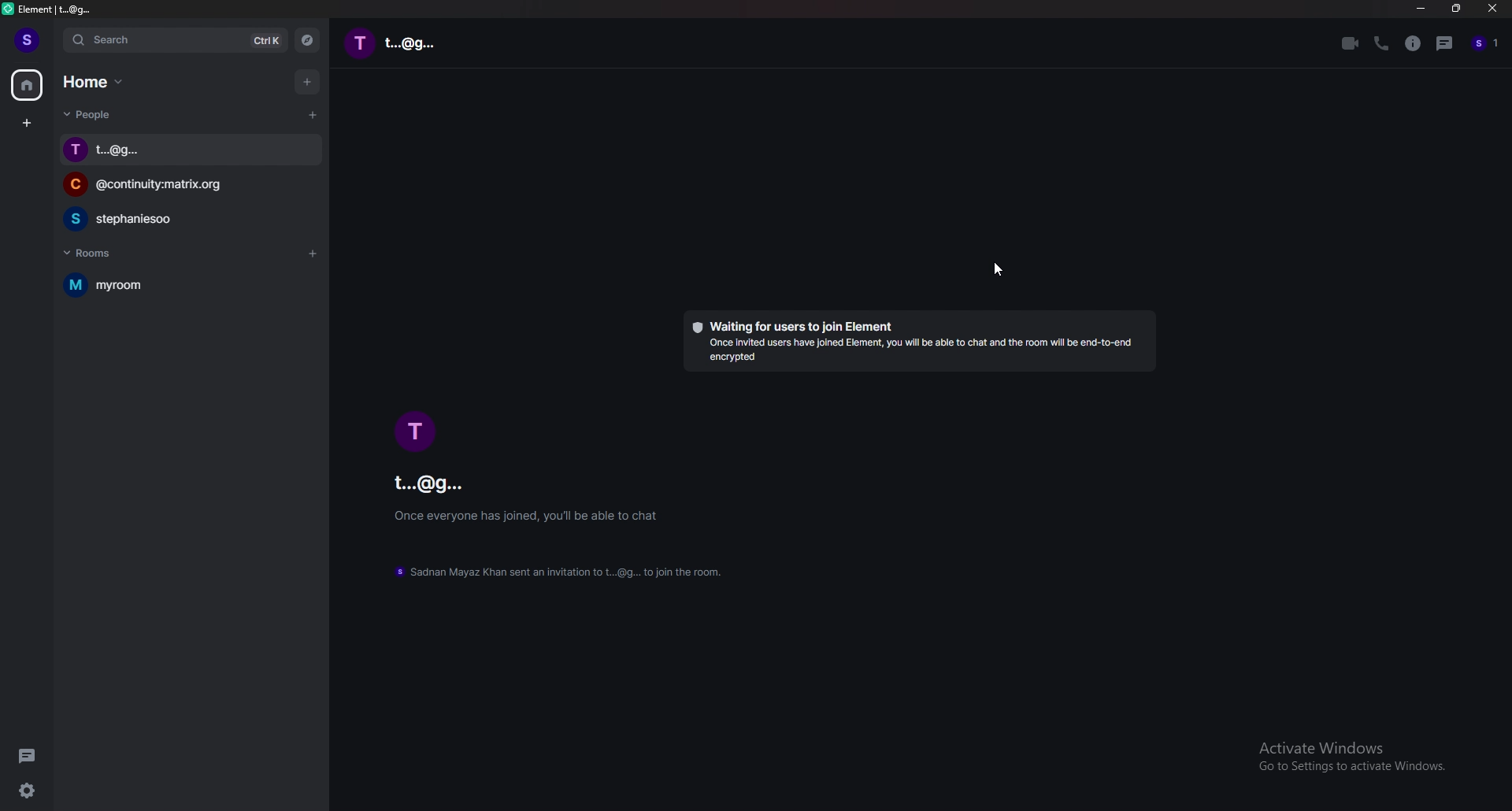  Describe the element at coordinates (143, 287) in the screenshot. I see `myroom` at that location.